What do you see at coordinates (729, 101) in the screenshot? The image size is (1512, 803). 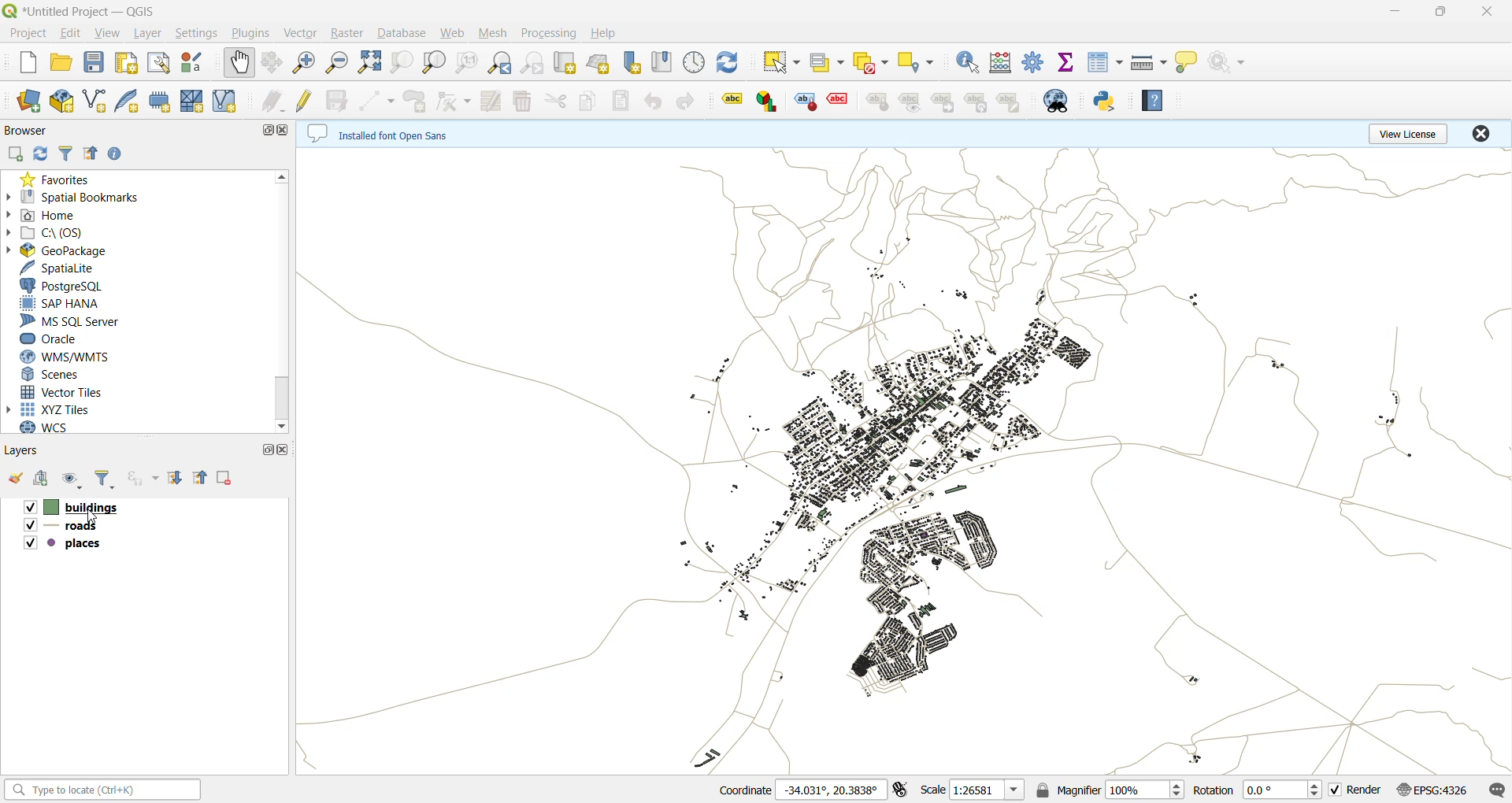 I see `layer labeling` at bounding box center [729, 101].